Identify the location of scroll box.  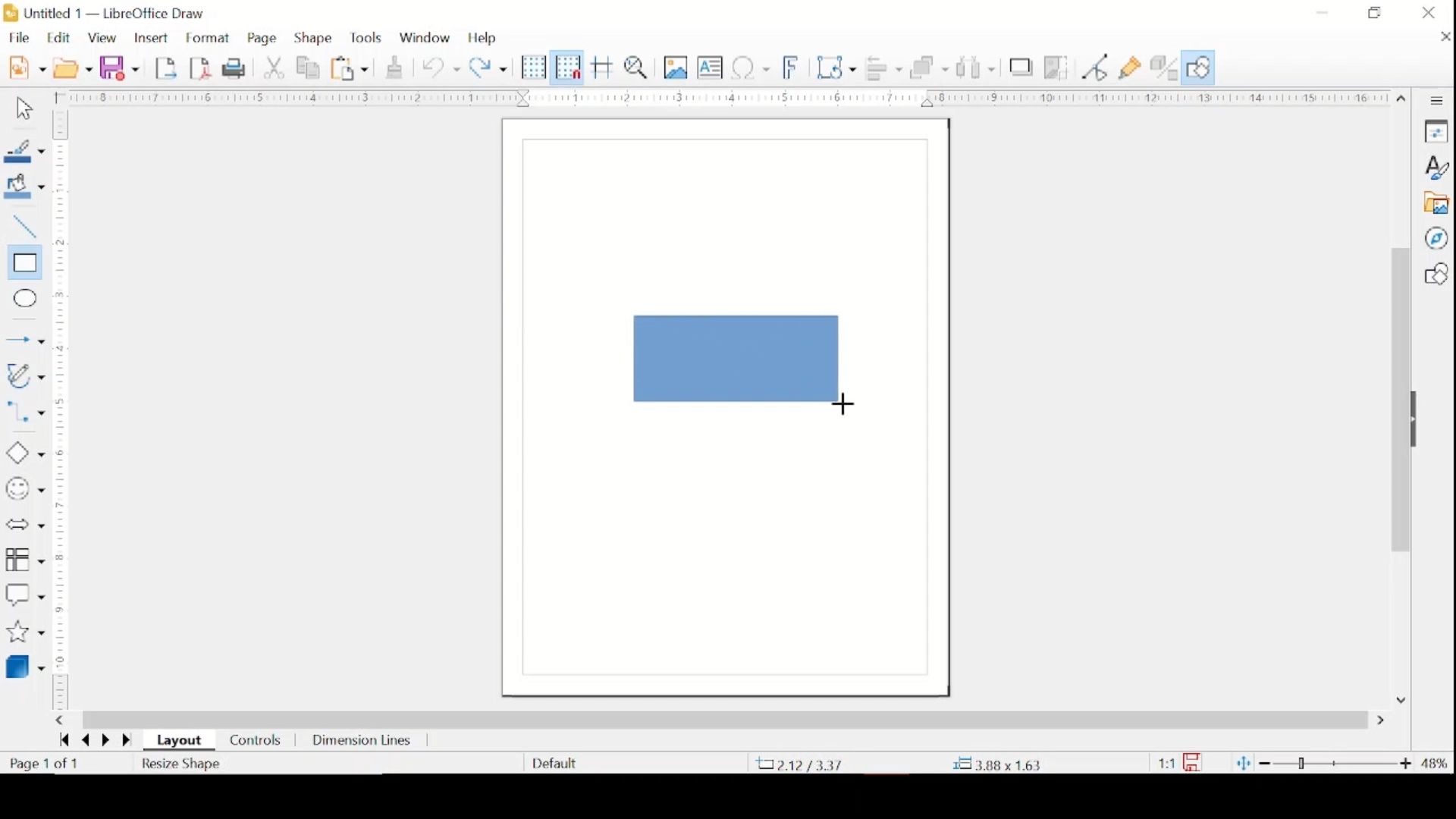
(1399, 403).